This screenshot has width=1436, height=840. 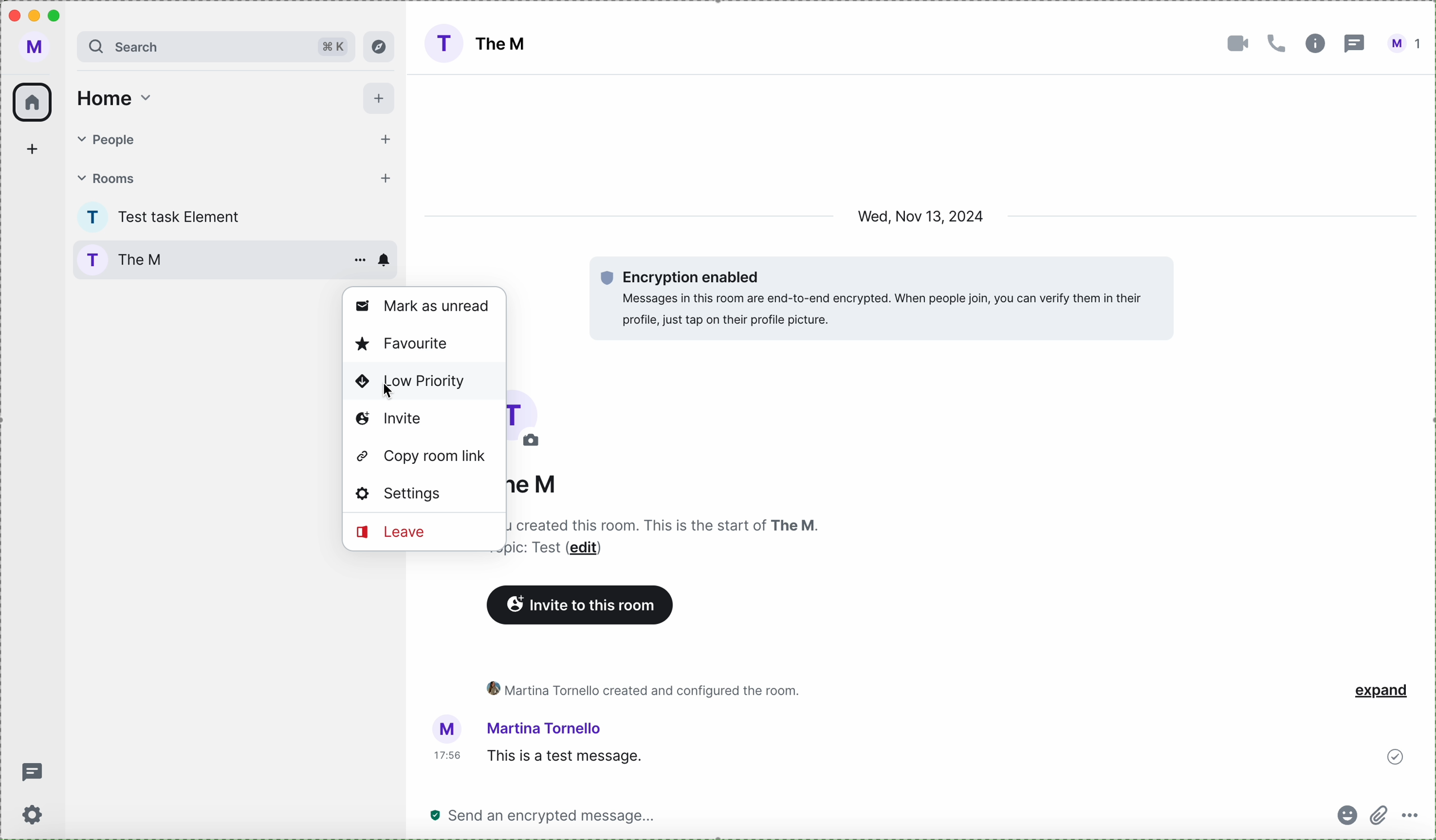 What do you see at coordinates (1278, 44) in the screenshot?
I see `call` at bounding box center [1278, 44].